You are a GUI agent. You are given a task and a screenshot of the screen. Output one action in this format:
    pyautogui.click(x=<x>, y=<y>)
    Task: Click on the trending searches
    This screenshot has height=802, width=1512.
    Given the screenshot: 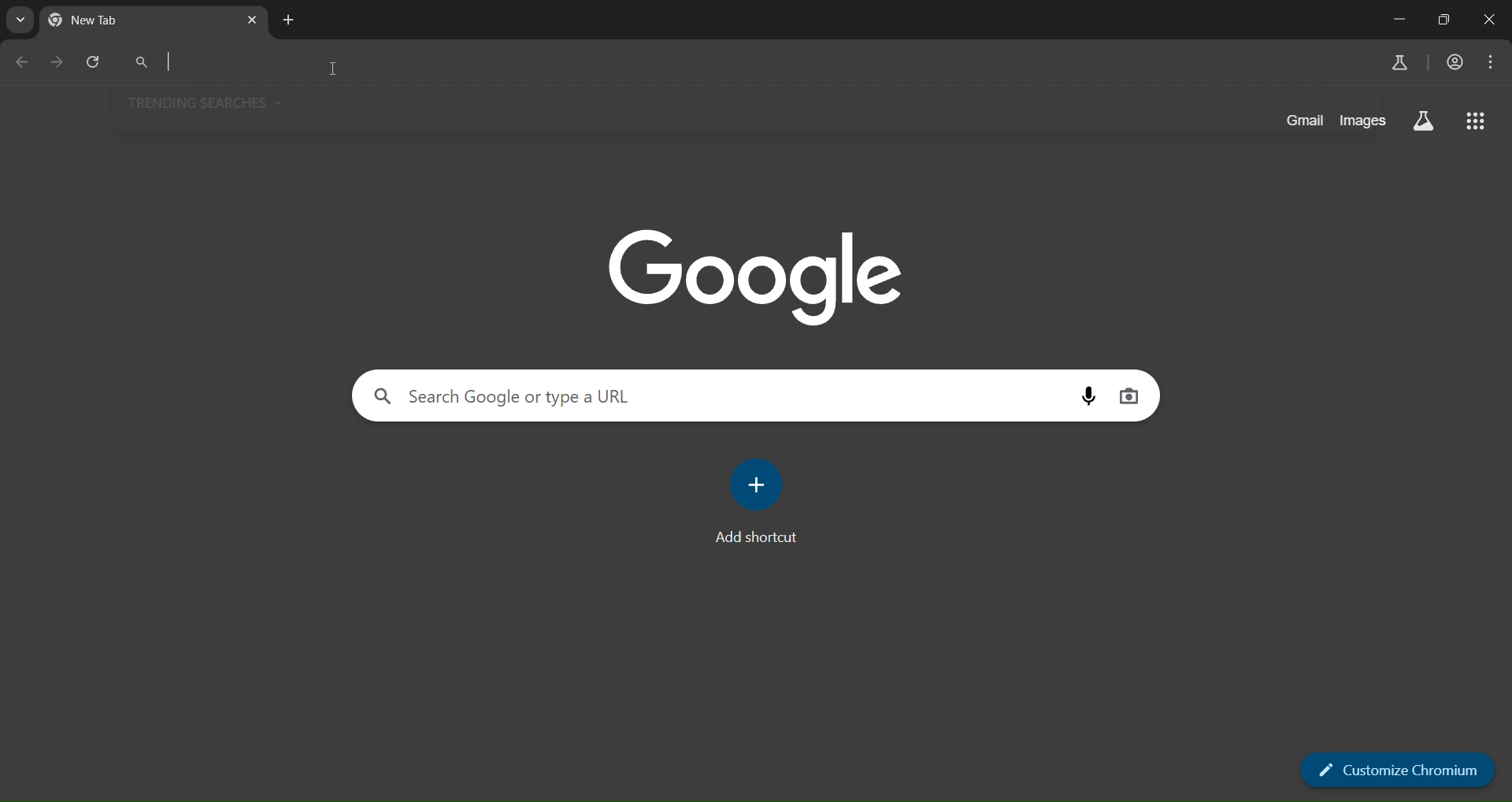 What is the action you would take?
    pyautogui.click(x=208, y=102)
    